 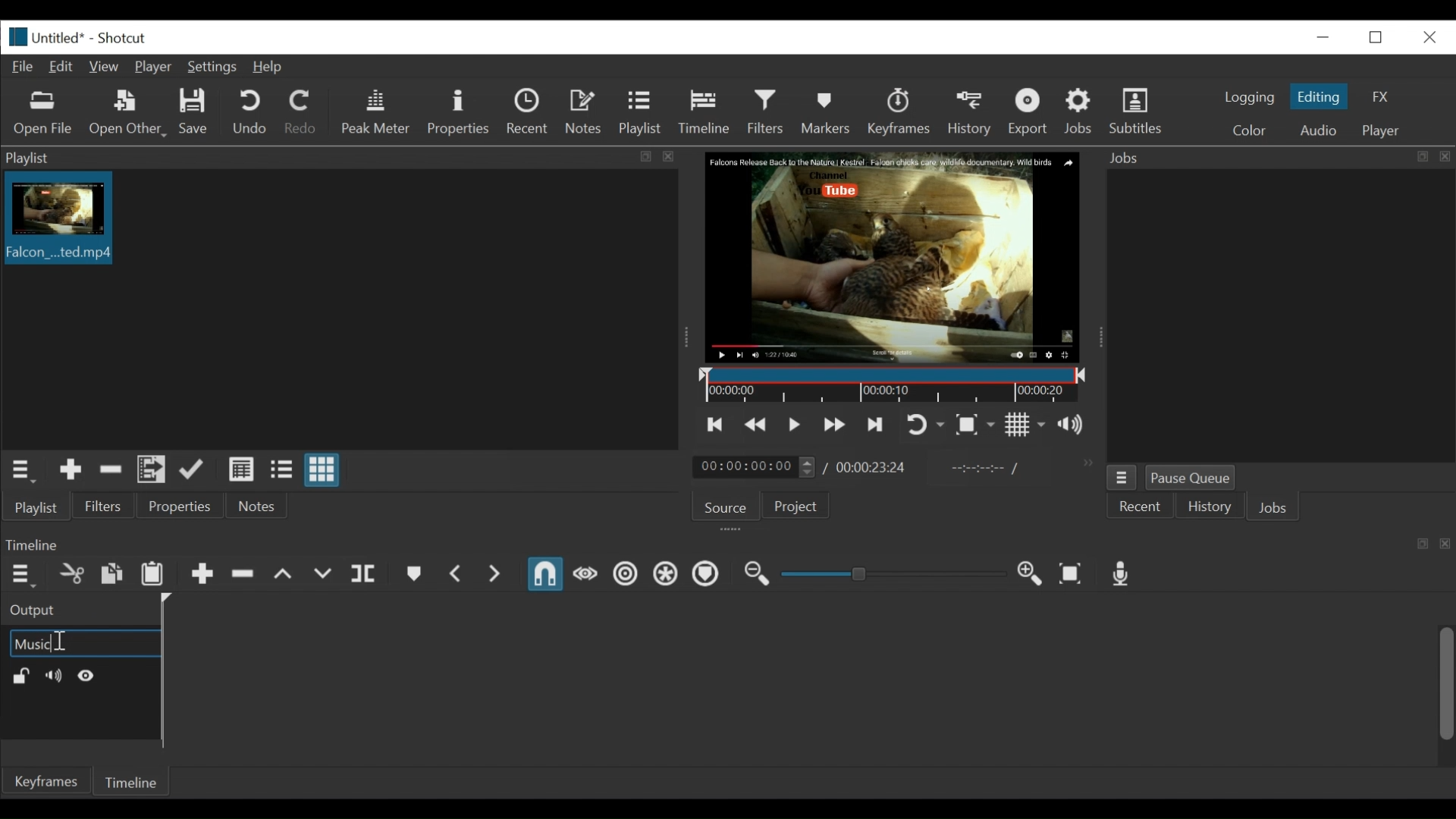 I want to click on Previous Marker, so click(x=457, y=574).